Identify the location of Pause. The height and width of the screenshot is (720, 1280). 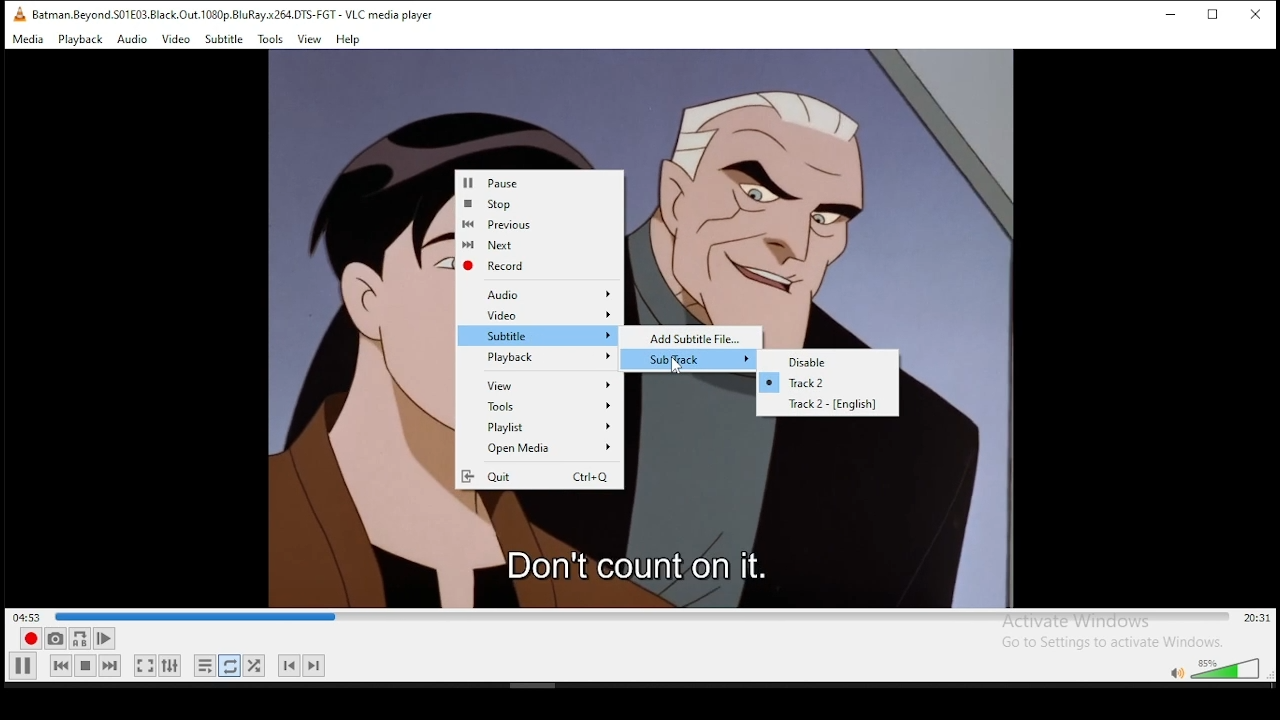
(542, 184).